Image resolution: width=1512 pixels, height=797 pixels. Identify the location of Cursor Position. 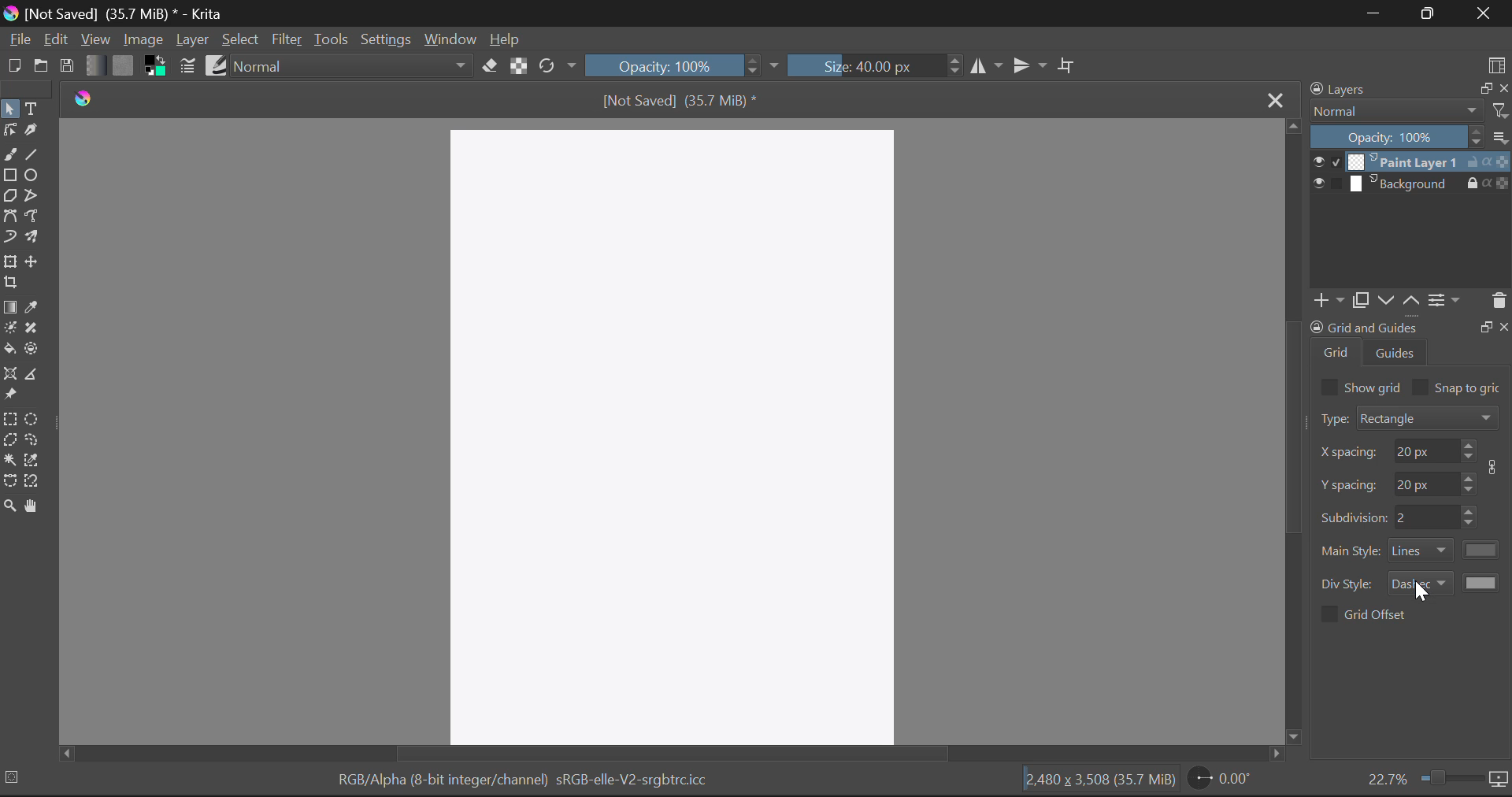
(1418, 591).